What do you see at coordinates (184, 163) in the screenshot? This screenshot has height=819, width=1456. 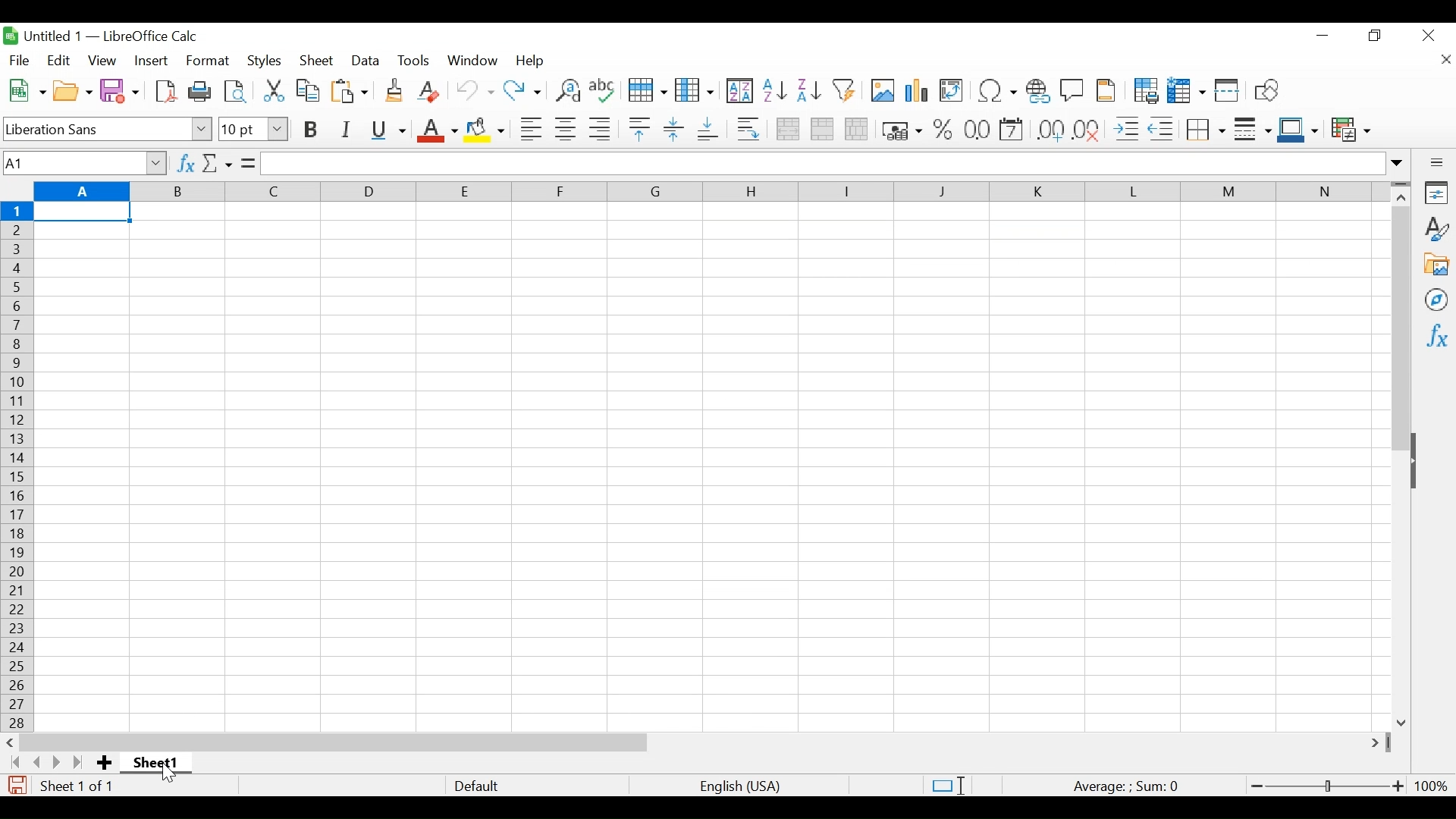 I see `Function Wizard` at bounding box center [184, 163].